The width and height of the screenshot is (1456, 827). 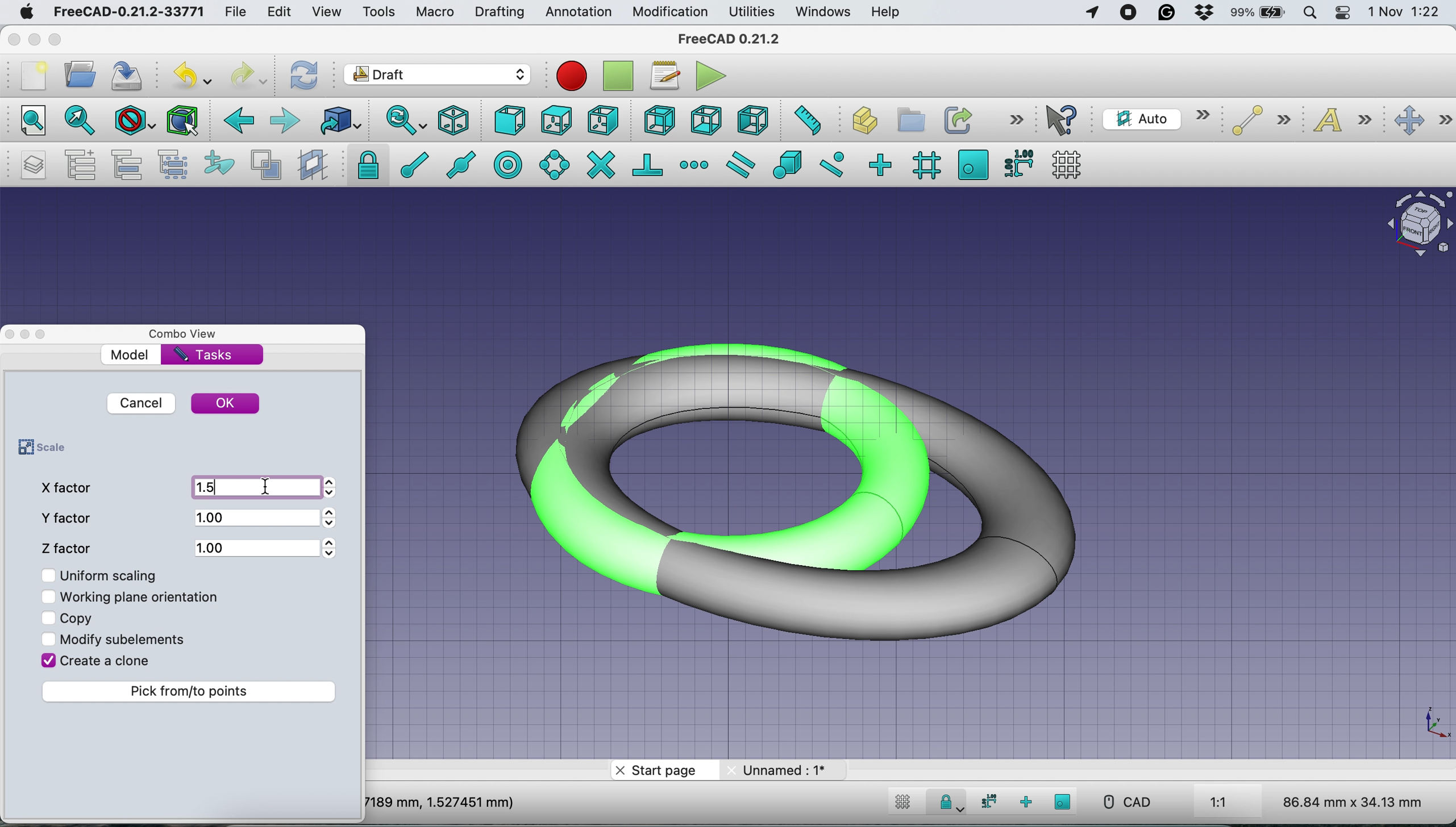 What do you see at coordinates (1129, 15) in the screenshot?
I see `screen recorder` at bounding box center [1129, 15].